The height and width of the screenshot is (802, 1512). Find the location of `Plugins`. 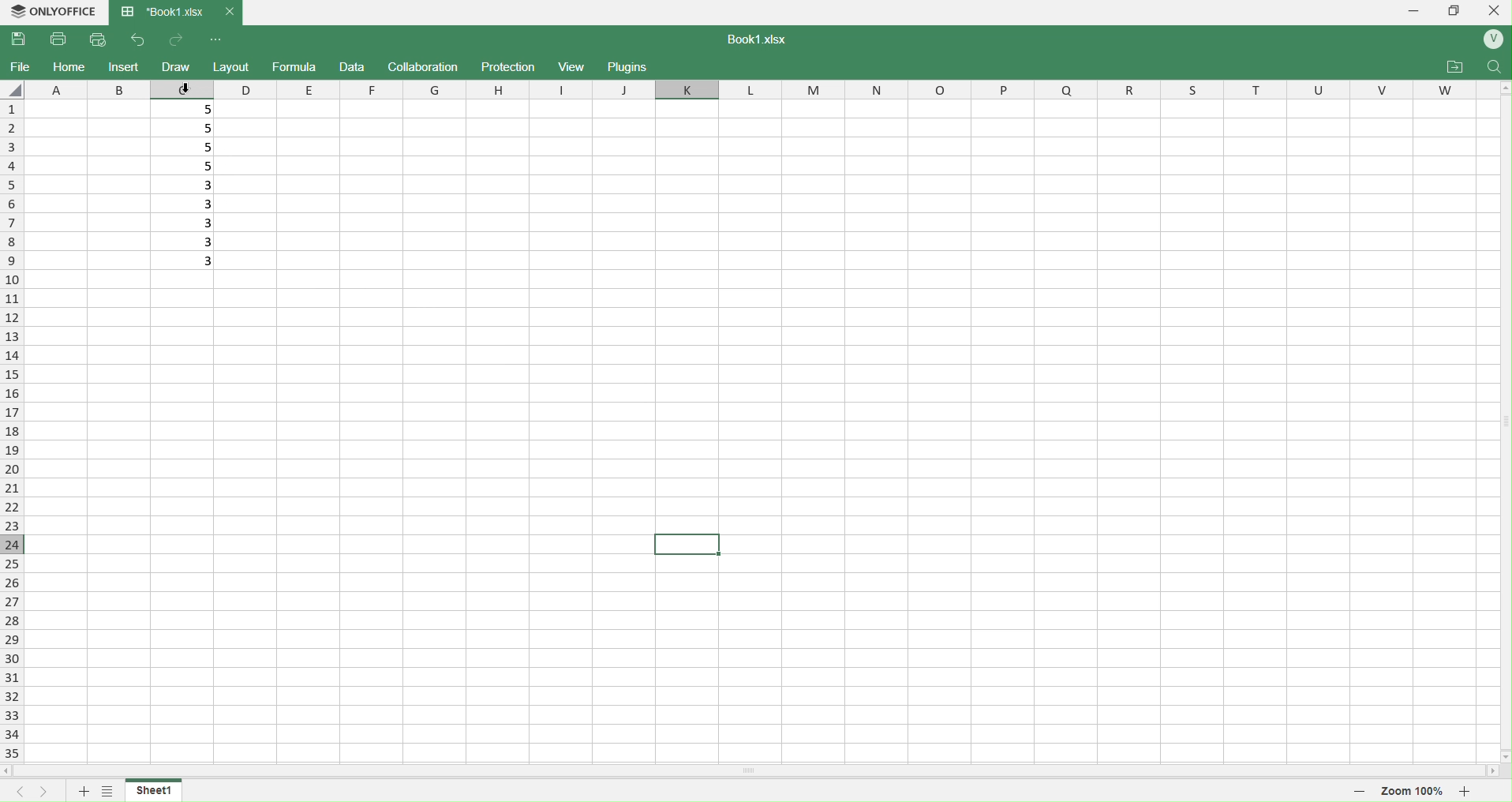

Plugins is located at coordinates (624, 66).